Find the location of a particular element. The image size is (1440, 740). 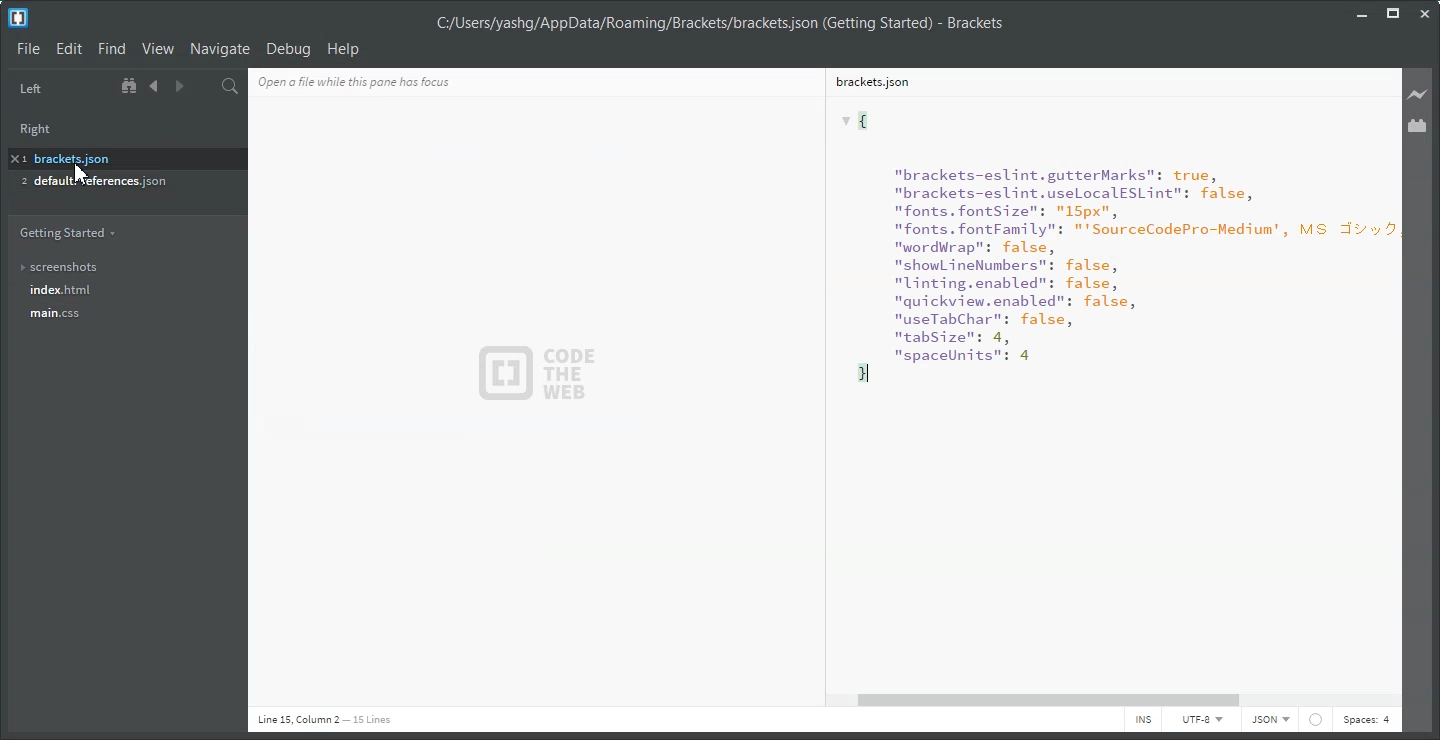

View is located at coordinates (157, 49).